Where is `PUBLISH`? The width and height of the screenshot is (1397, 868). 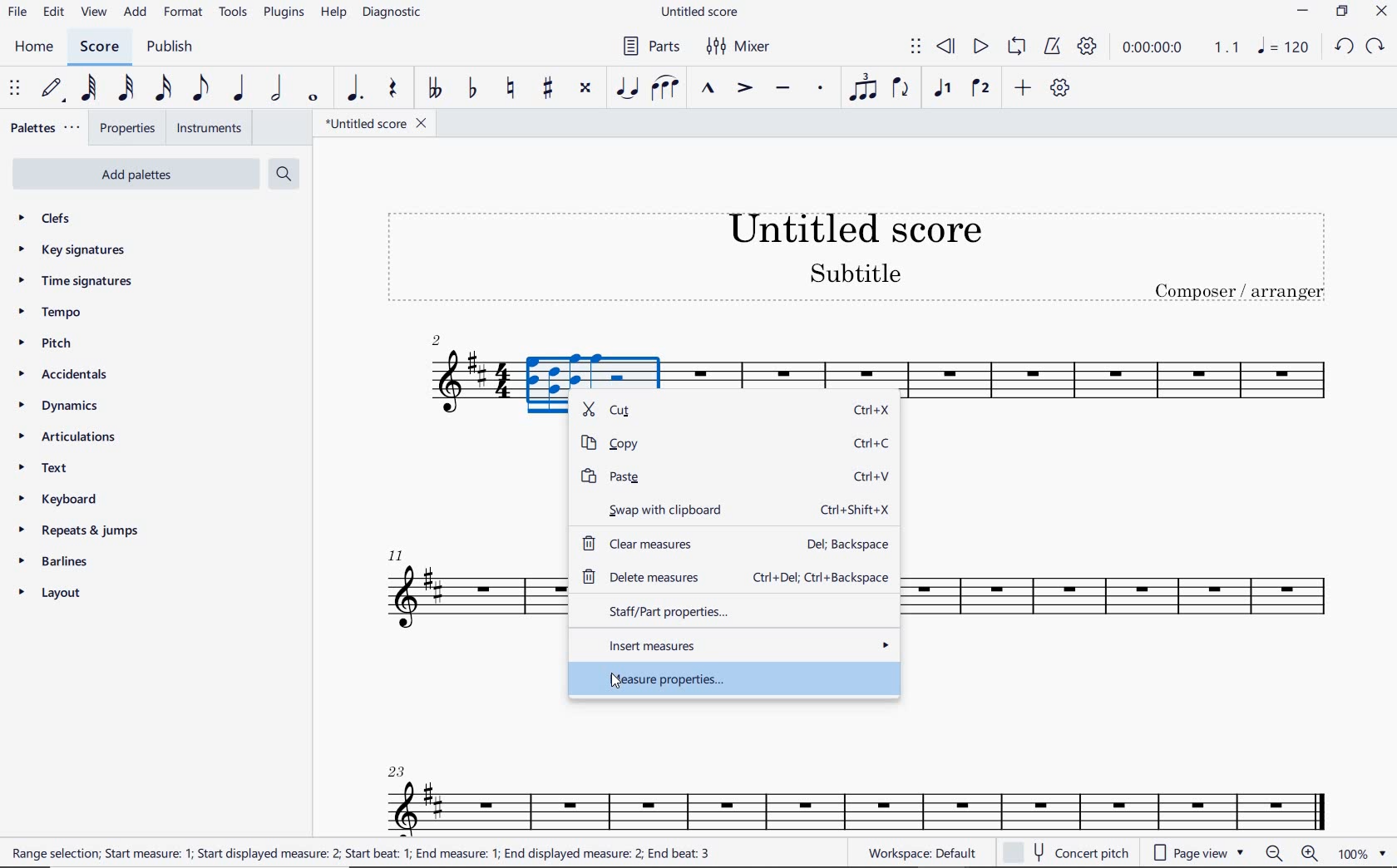 PUBLISH is located at coordinates (170, 48).